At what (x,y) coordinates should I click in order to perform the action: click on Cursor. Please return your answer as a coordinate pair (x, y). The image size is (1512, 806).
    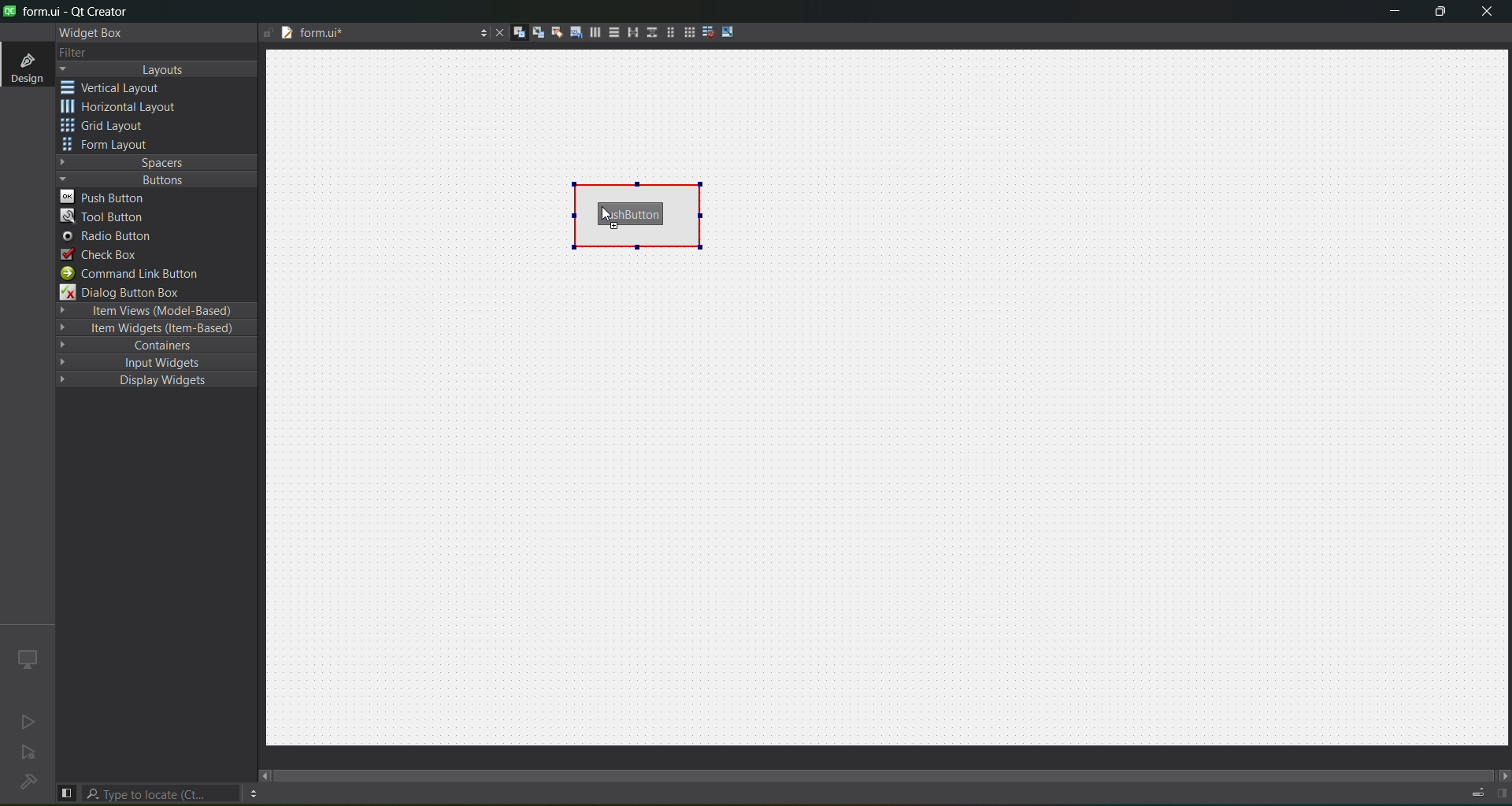
    Looking at the image, I should click on (605, 213).